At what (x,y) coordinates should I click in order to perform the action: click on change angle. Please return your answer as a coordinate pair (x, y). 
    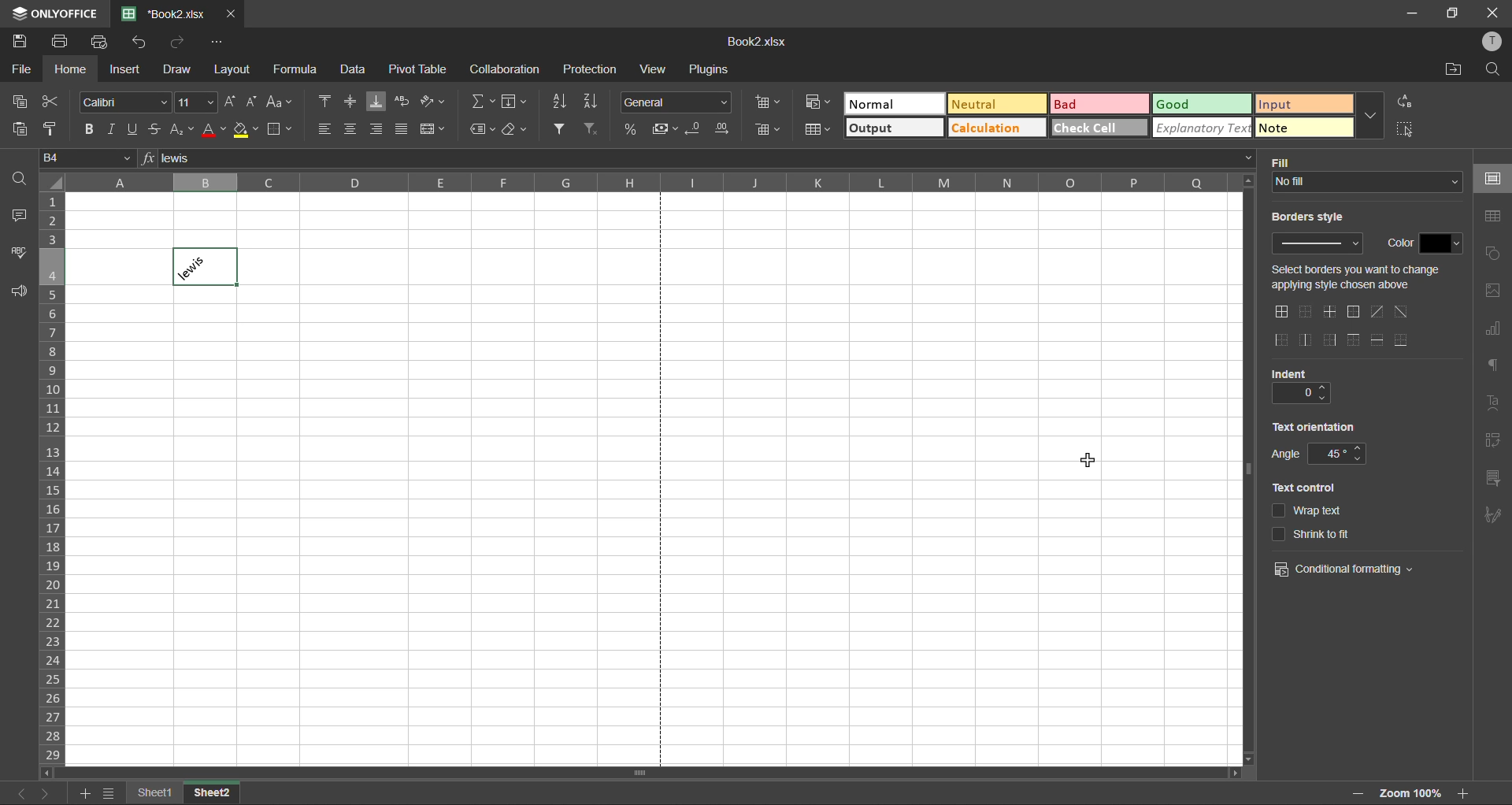
    Looking at the image, I should click on (1328, 453).